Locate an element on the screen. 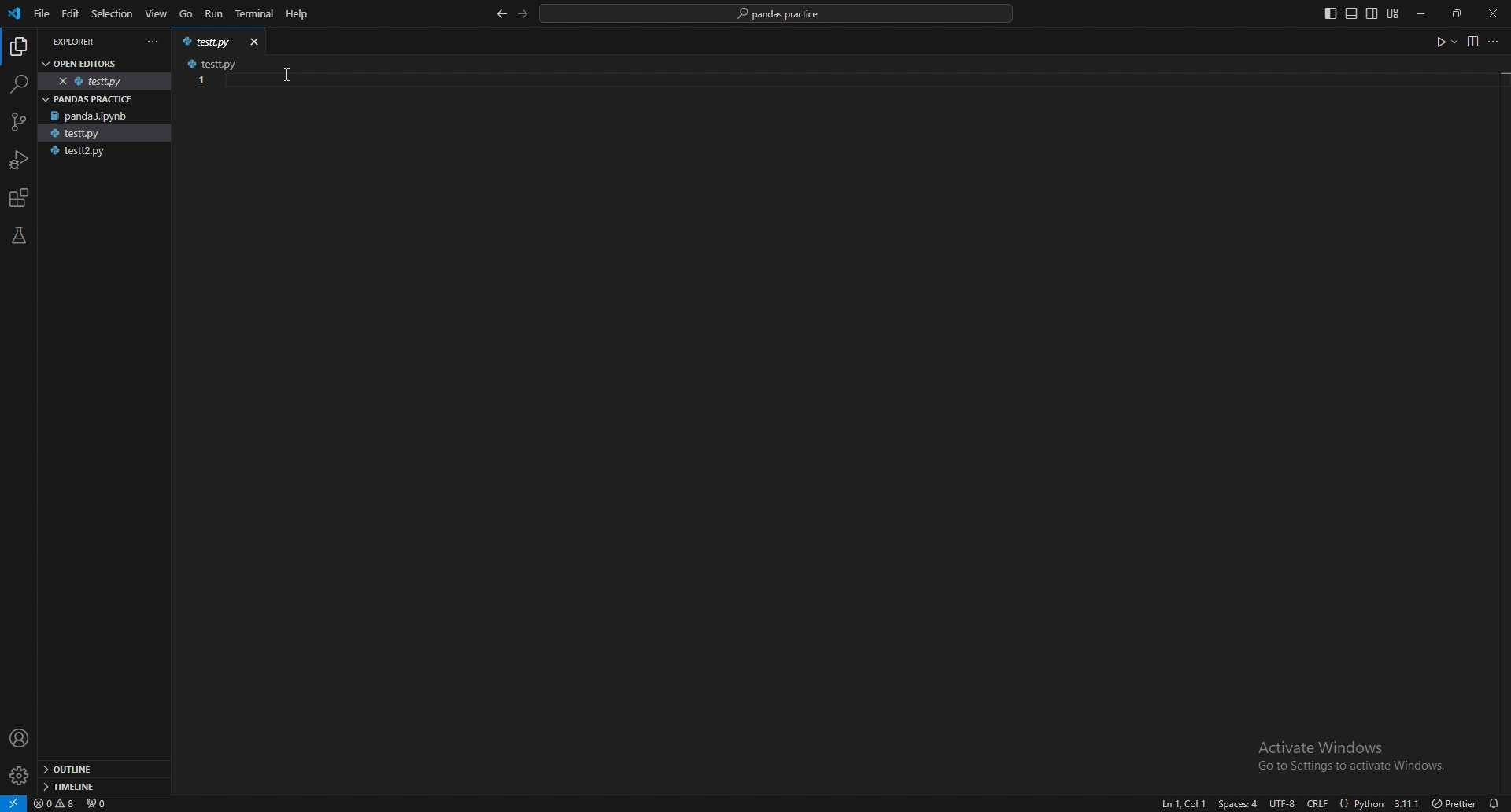 The height and width of the screenshot is (812, 1511). extensions is located at coordinates (20, 198).